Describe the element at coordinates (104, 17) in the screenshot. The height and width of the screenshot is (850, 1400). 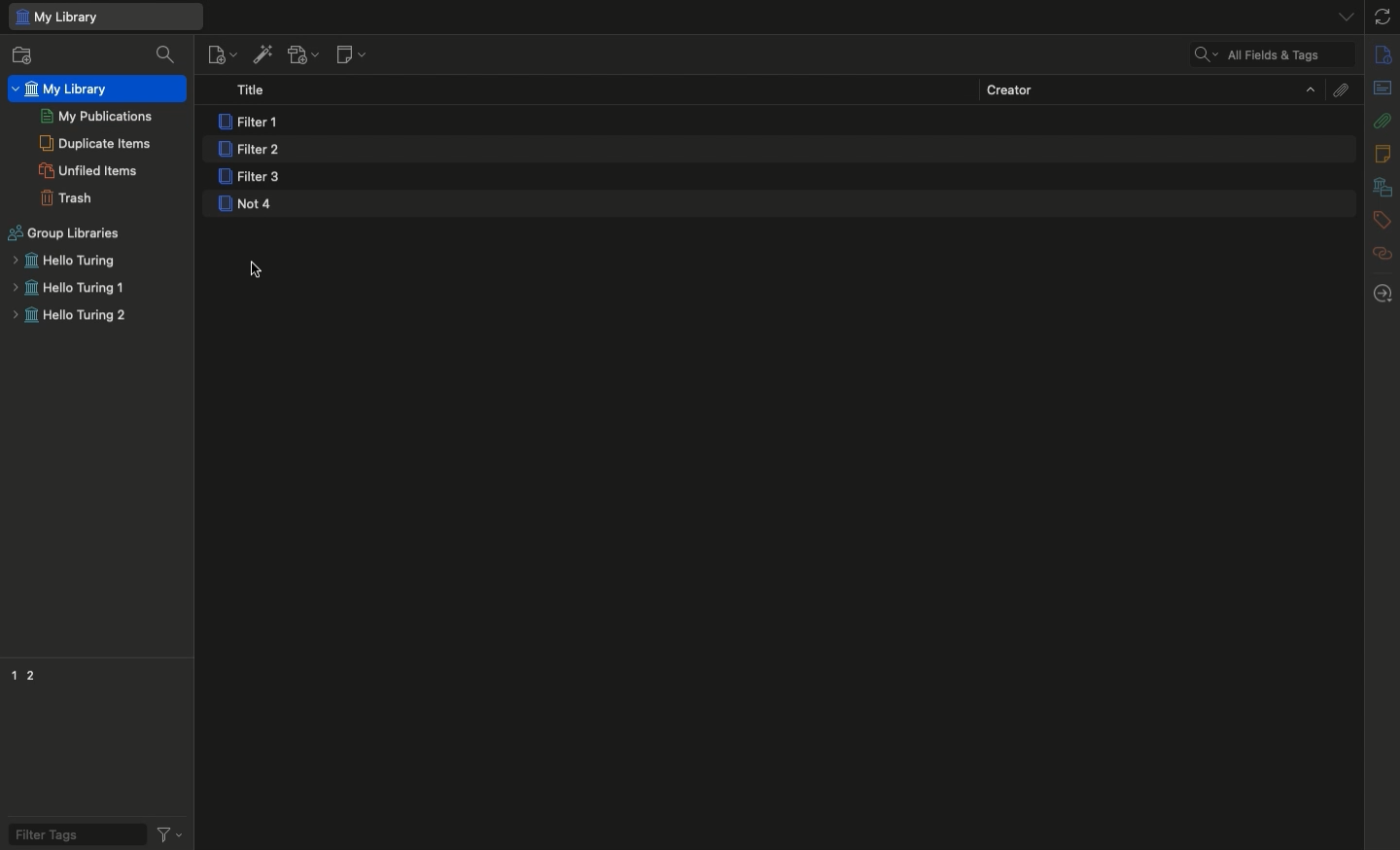
I see `My library` at that location.